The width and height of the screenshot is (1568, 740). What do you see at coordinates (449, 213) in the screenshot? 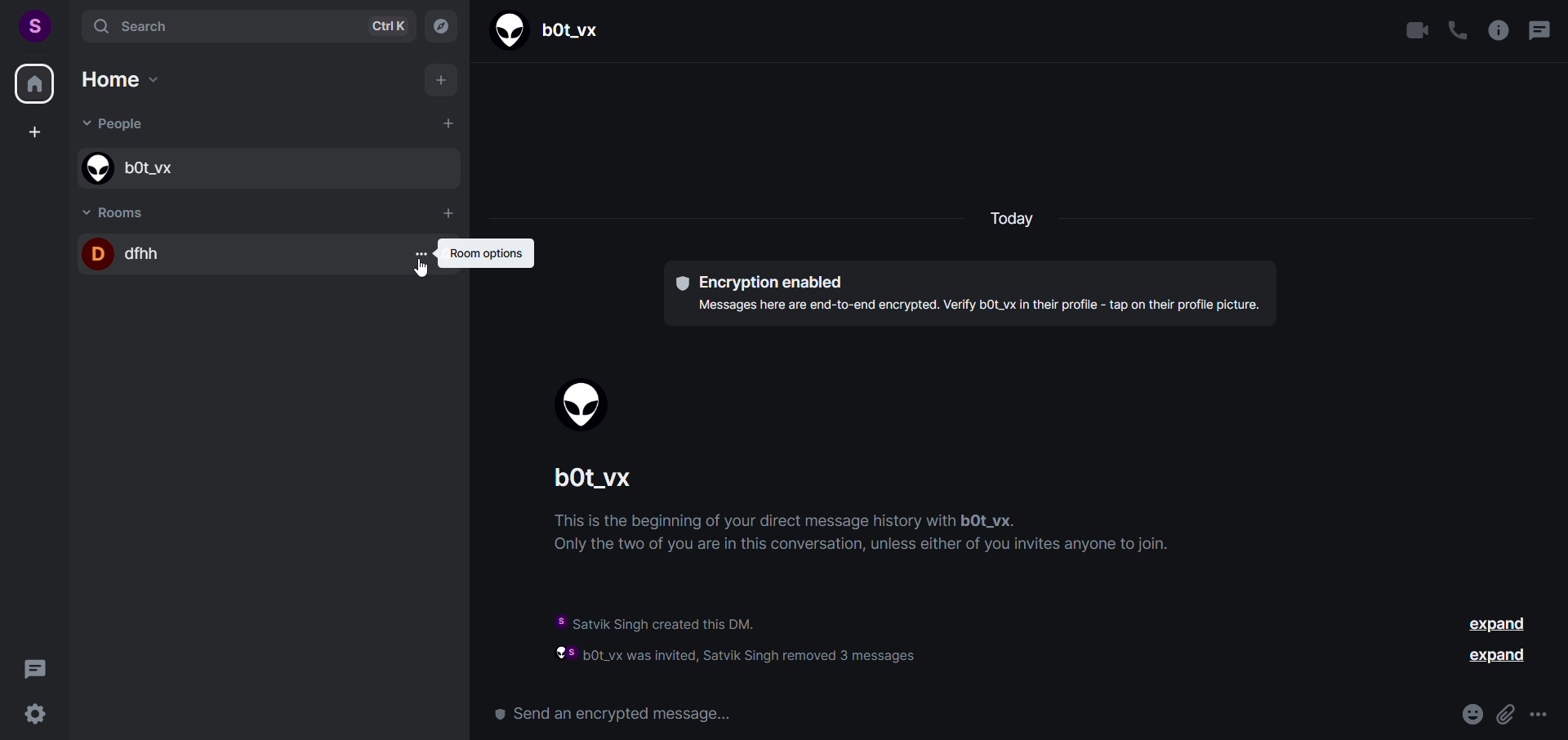
I see `add room` at bounding box center [449, 213].